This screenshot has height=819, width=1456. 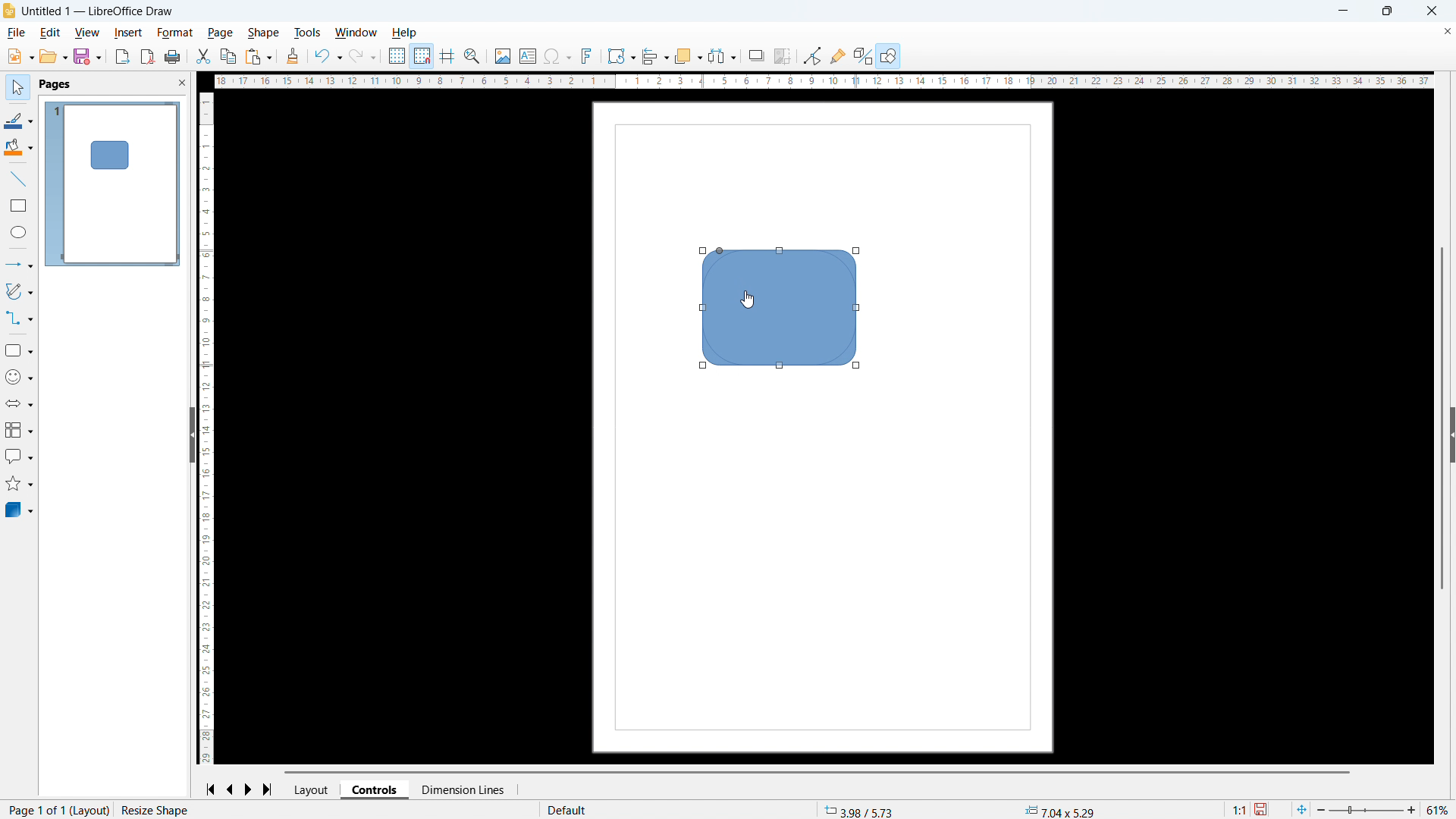 What do you see at coordinates (87, 57) in the screenshot?
I see `save ` at bounding box center [87, 57].